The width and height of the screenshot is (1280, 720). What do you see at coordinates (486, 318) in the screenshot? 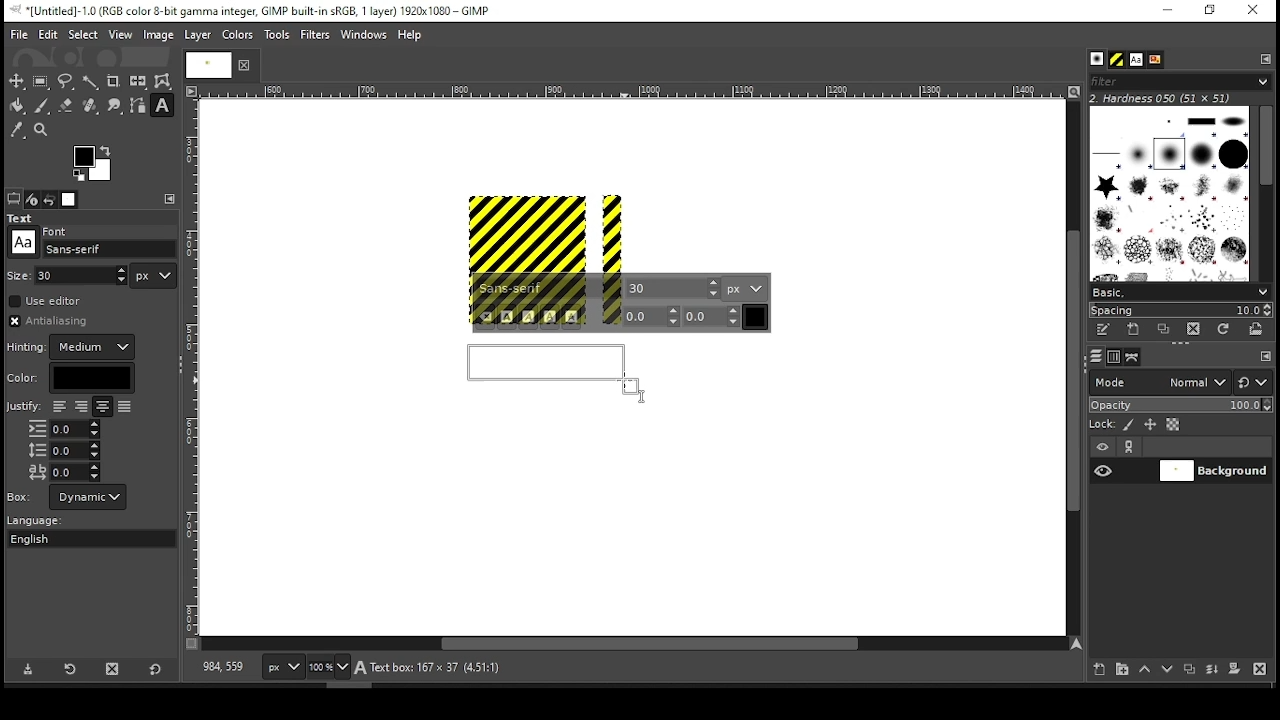
I see `clear style of selected text` at bounding box center [486, 318].